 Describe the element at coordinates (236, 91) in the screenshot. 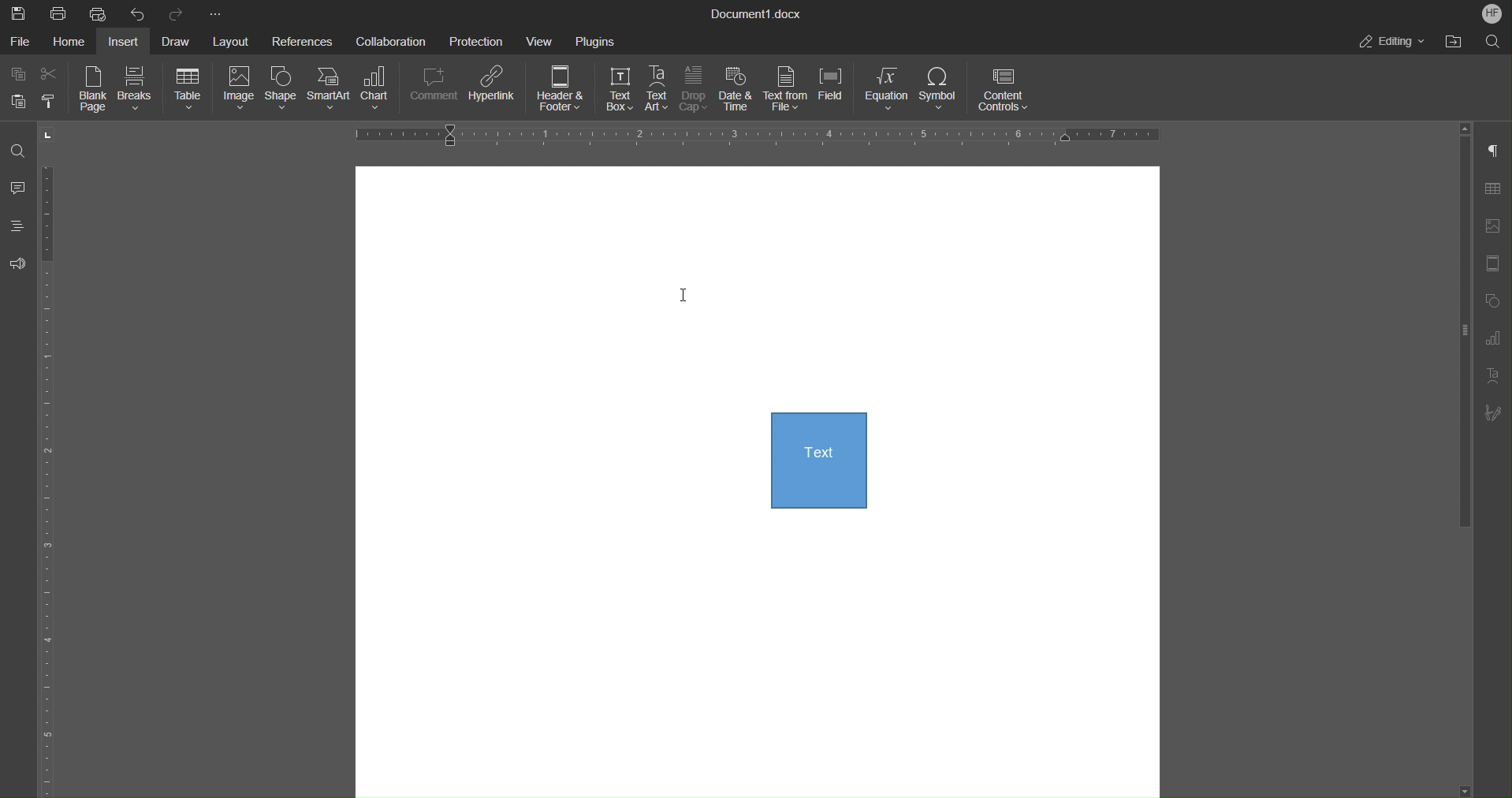

I see `Image` at that location.